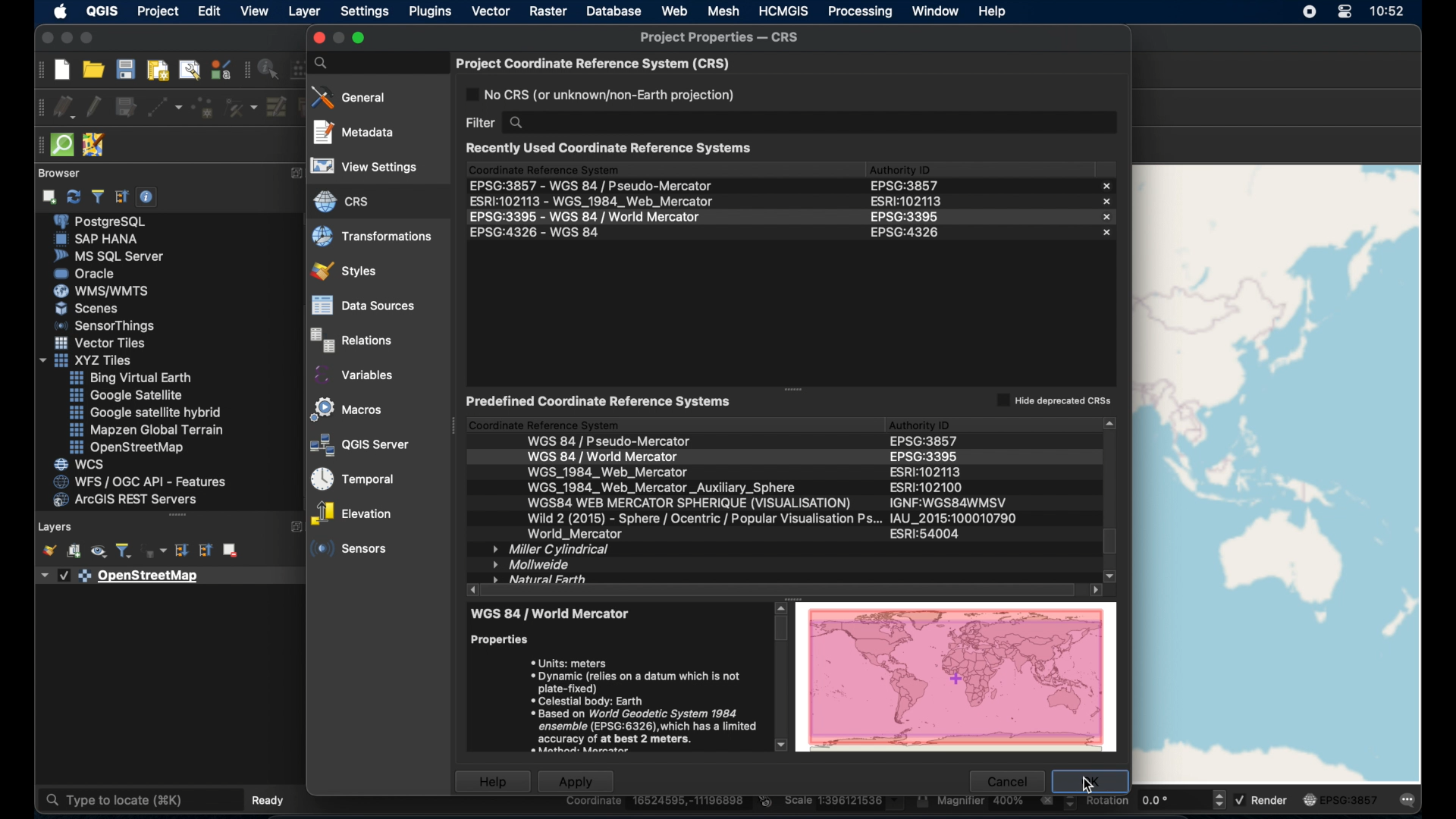 This screenshot has width=1456, height=819. What do you see at coordinates (247, 71) in the screenshot?
I see `attributes toolbar` at bounding box center [247, 71].